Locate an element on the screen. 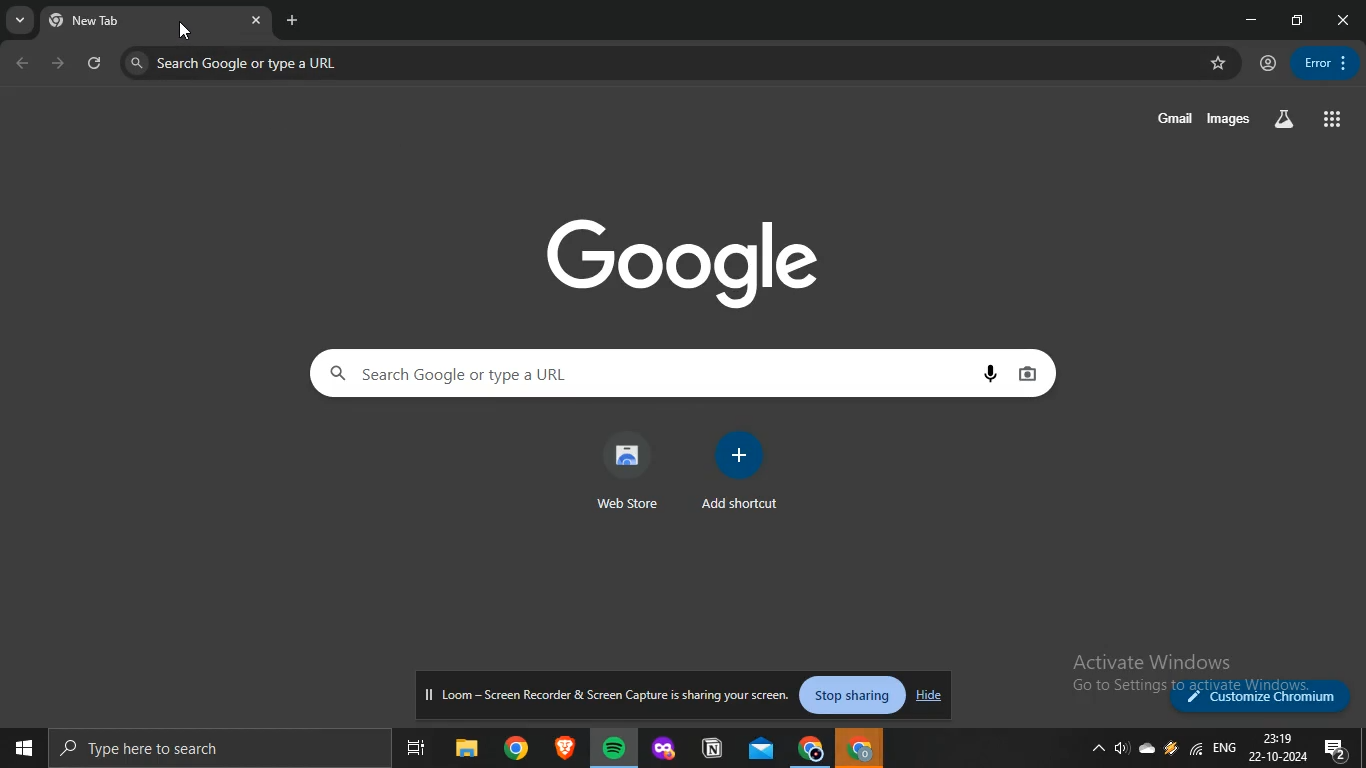  brave is located at coordinates (564, 748).